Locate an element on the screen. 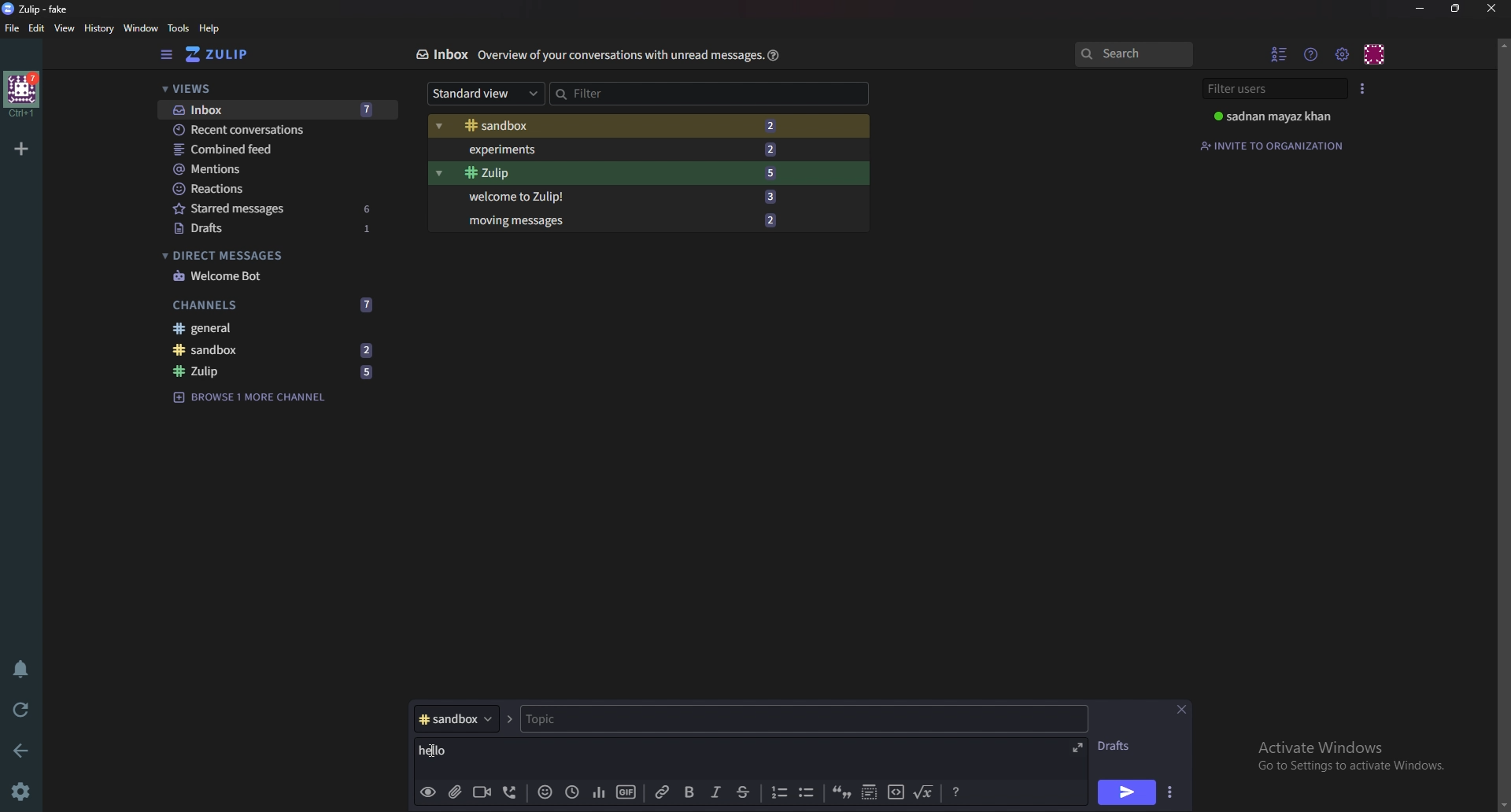 The width and height of the screenshot is (1511, 812). File is located at coordinates (15, 28).